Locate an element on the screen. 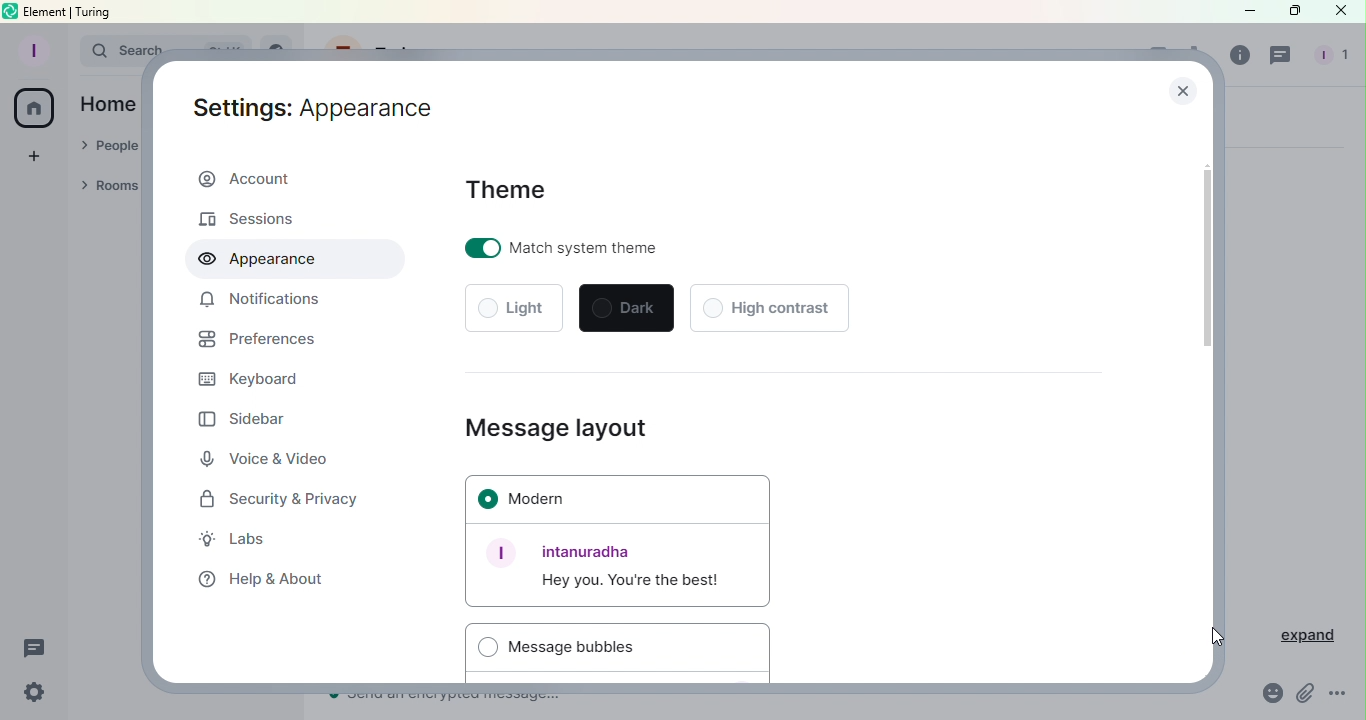 This screenshot has width=1366, height=720. Labs is located at coordinates (247, 542).